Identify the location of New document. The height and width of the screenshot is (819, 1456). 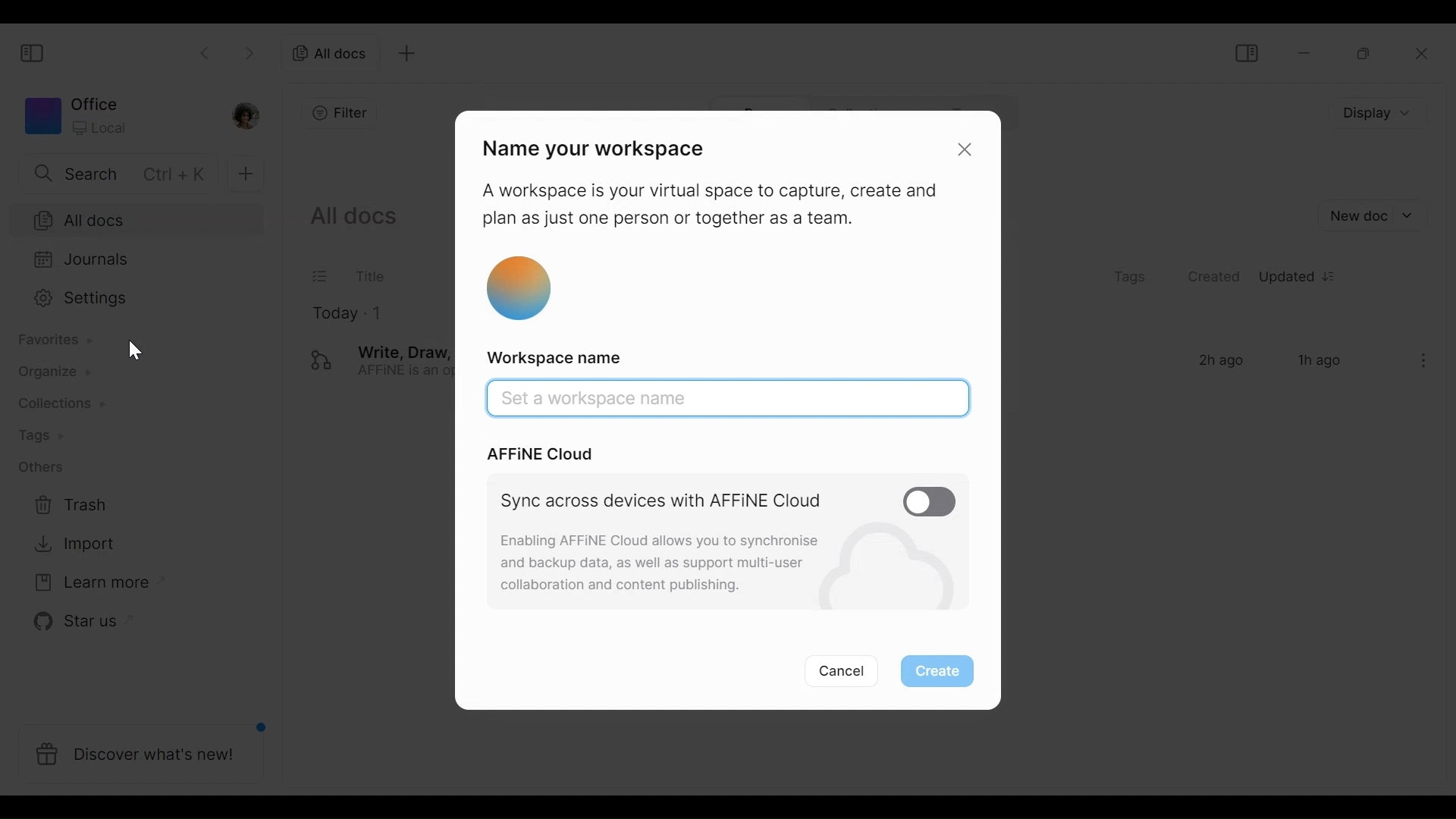
(1371, 215).